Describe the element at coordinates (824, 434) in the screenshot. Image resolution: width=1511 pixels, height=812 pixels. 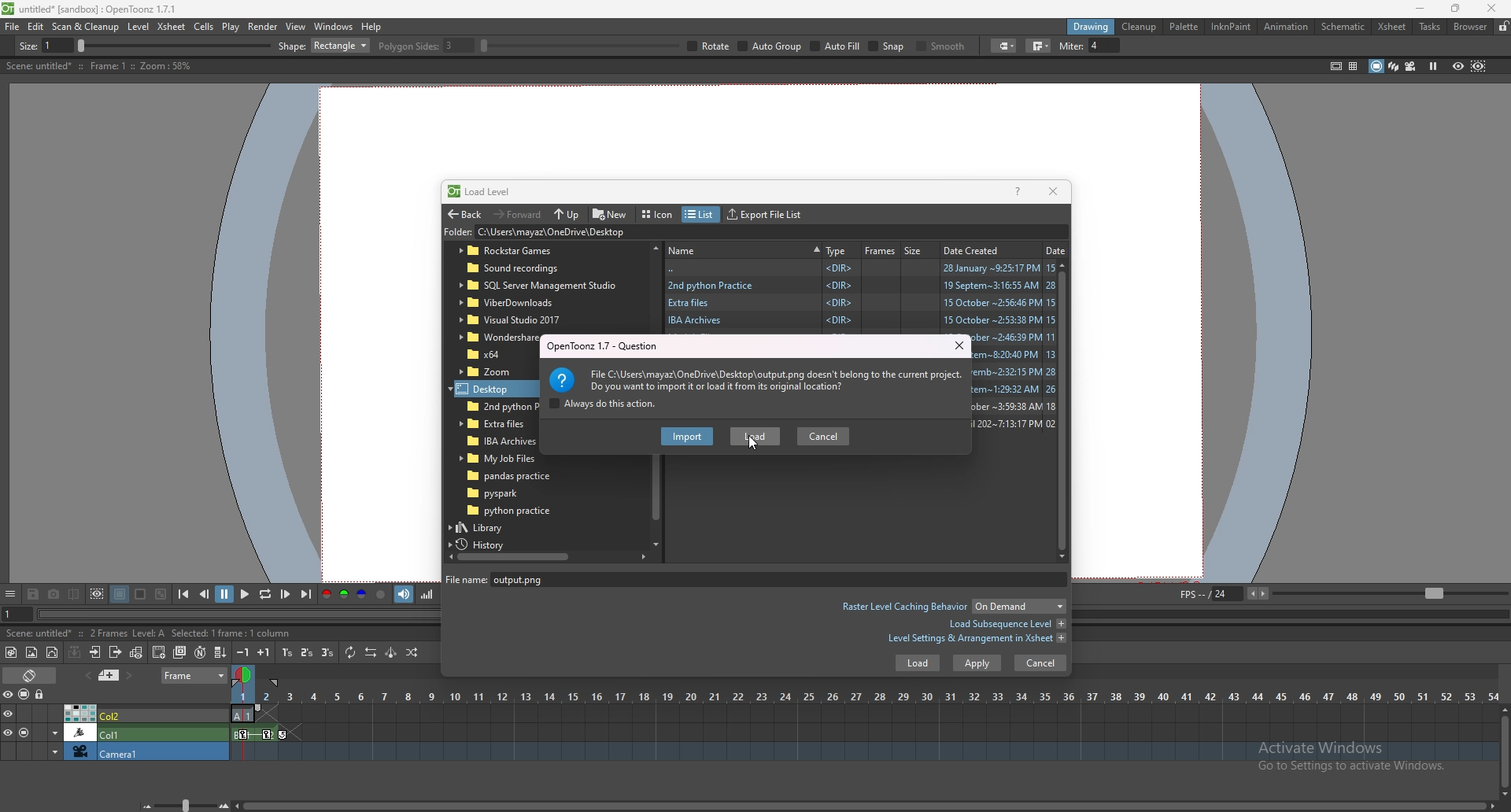
I see `cancel` at that location.